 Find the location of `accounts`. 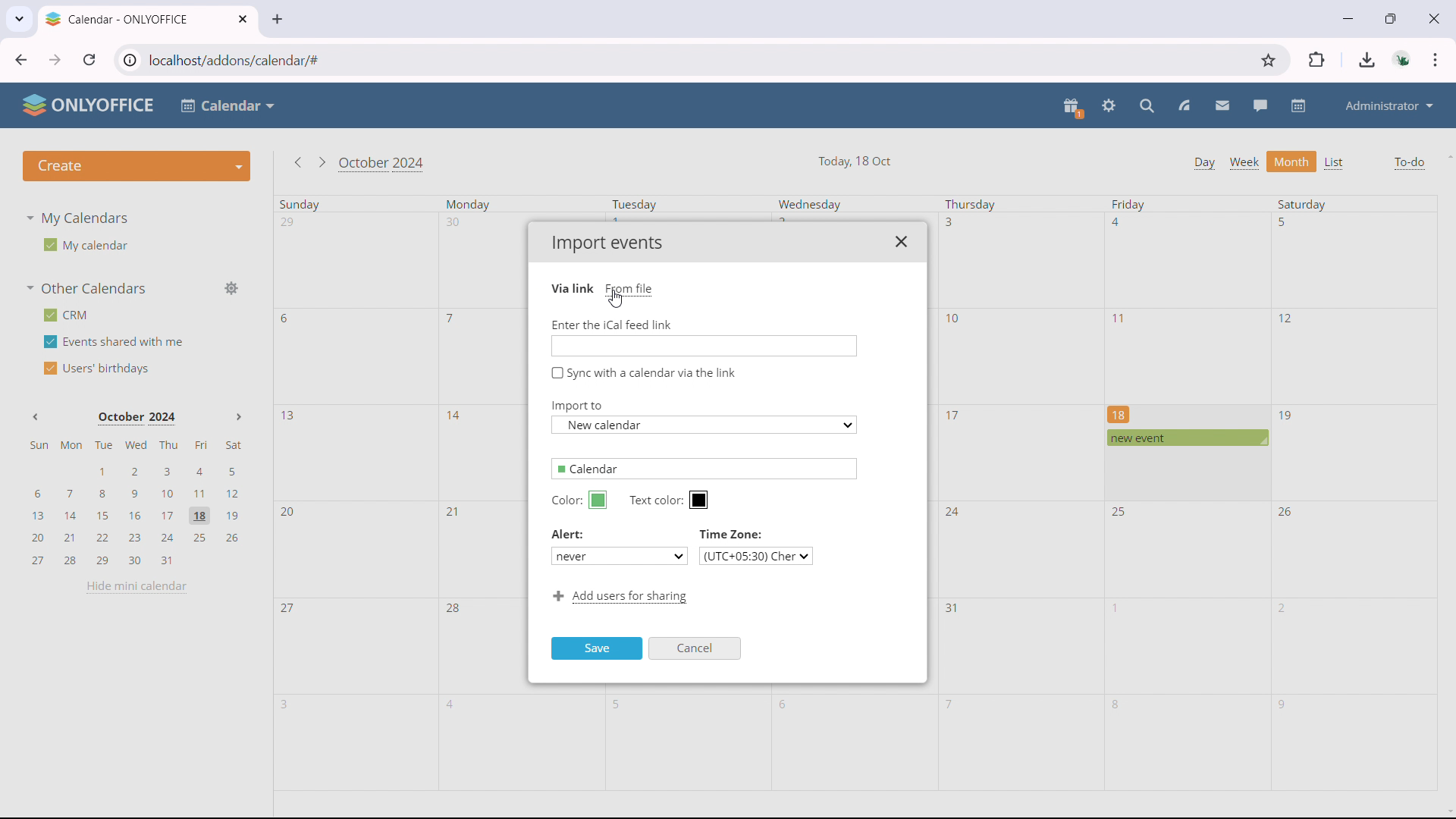

accounts is located at coordinates (1404, 59).